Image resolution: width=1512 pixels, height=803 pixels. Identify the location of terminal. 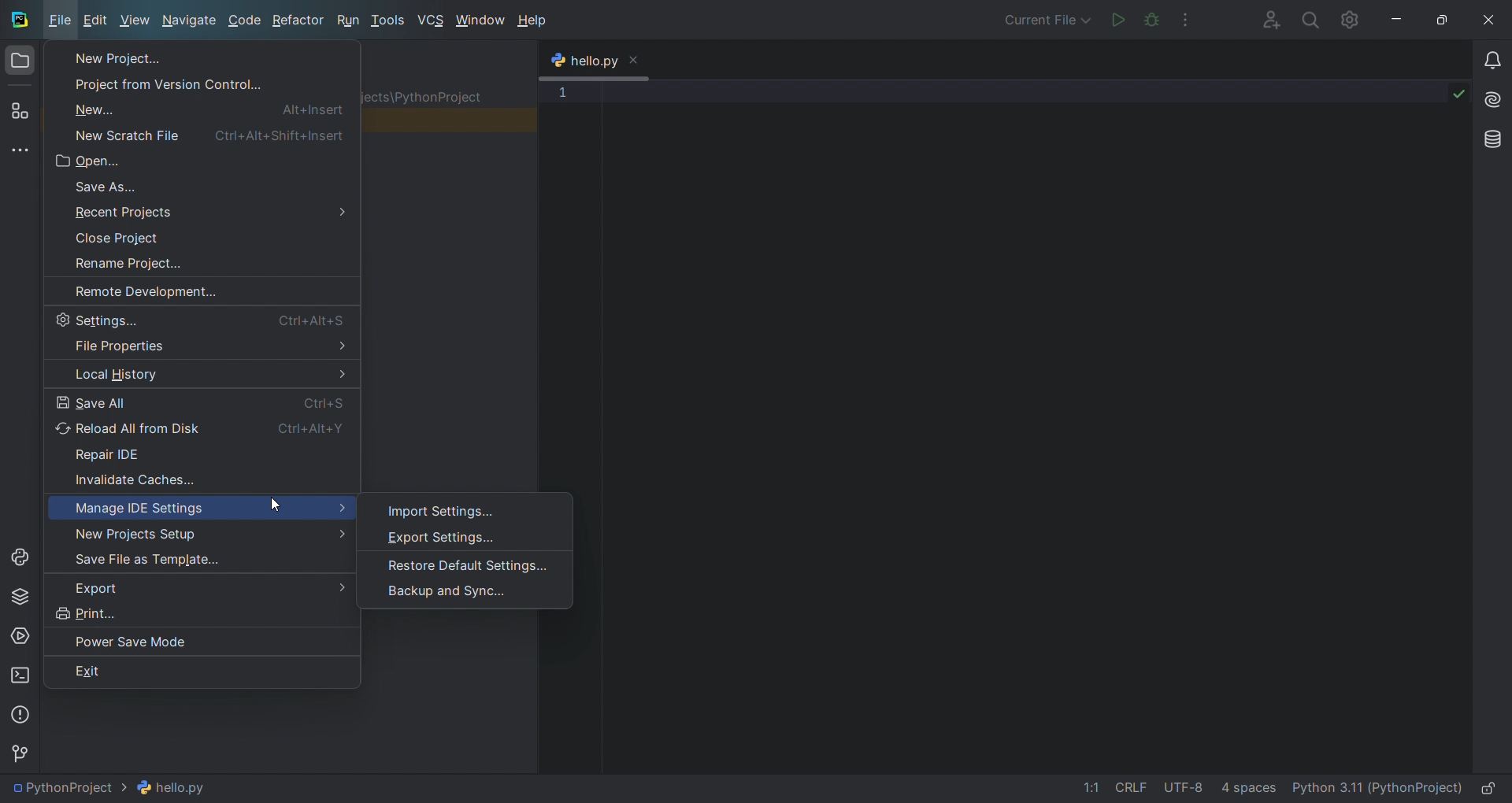
(20, 675).